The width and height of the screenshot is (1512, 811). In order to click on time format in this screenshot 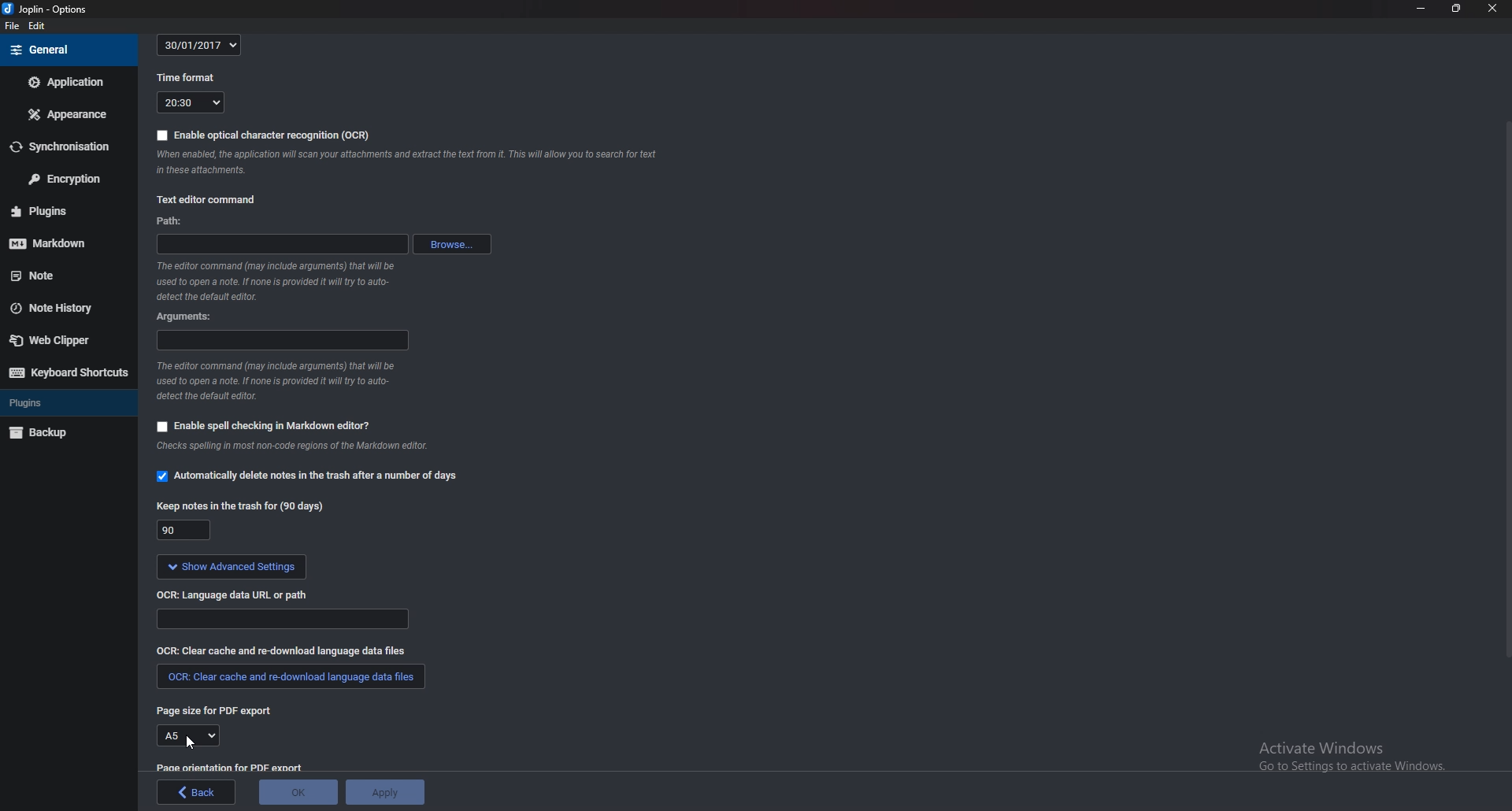, I will do `click(186, 80)`.